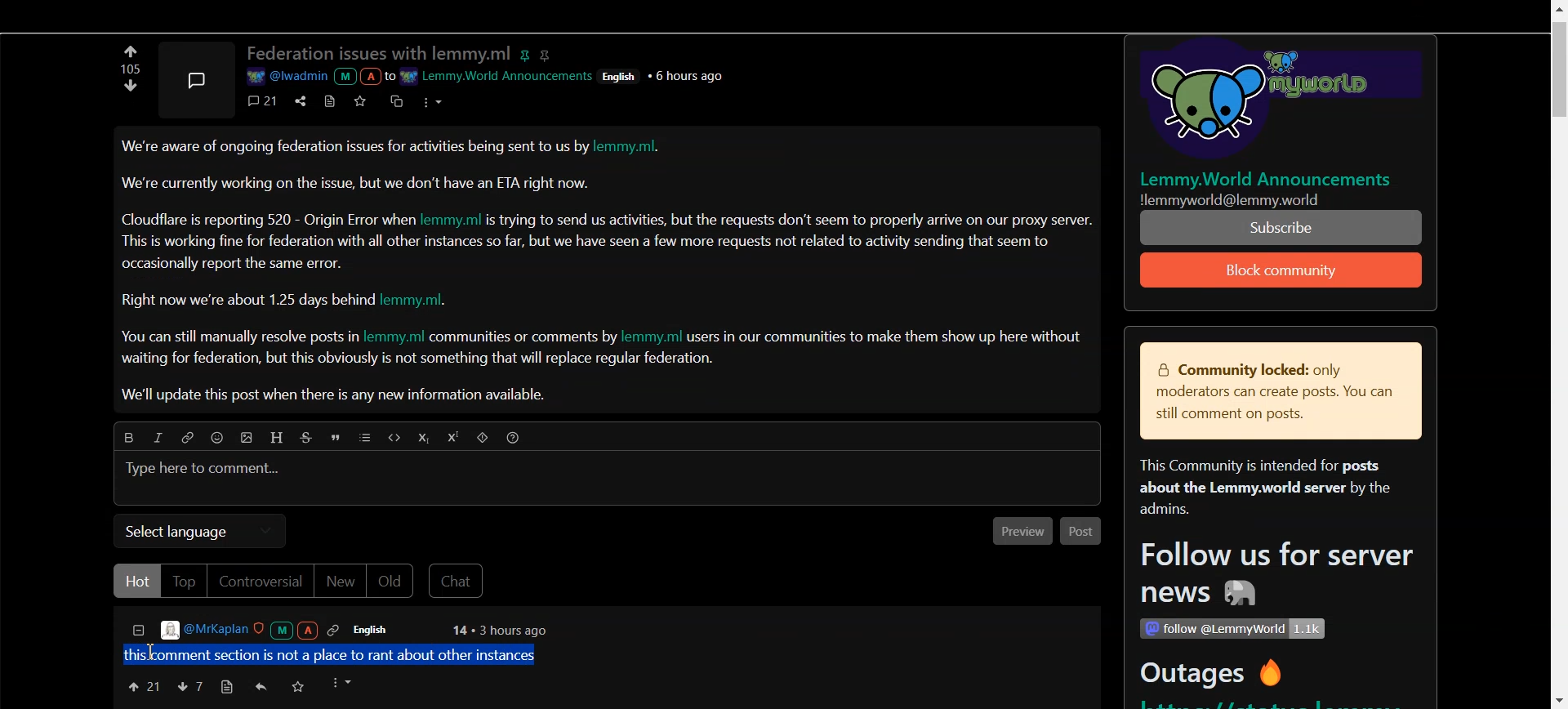 This screenshot has width=1568, height=709. Describe the element at coordinates (336, 653) in the screenshot. I see `this comment section is not a place to rant about other instances` at that location.